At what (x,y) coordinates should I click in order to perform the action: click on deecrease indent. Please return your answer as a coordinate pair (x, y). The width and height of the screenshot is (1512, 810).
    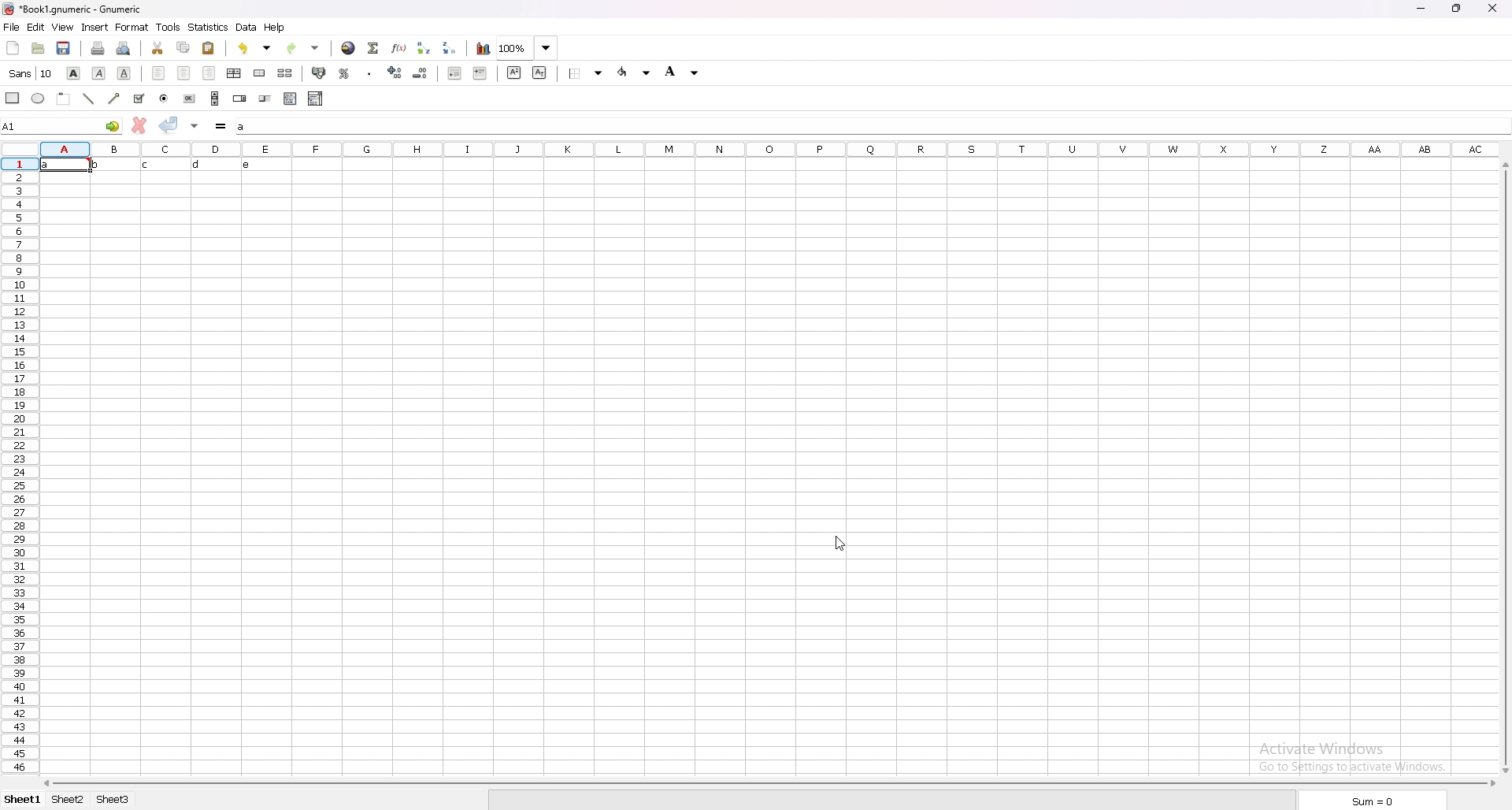
    Looking at the image, I should click on (454, 73).